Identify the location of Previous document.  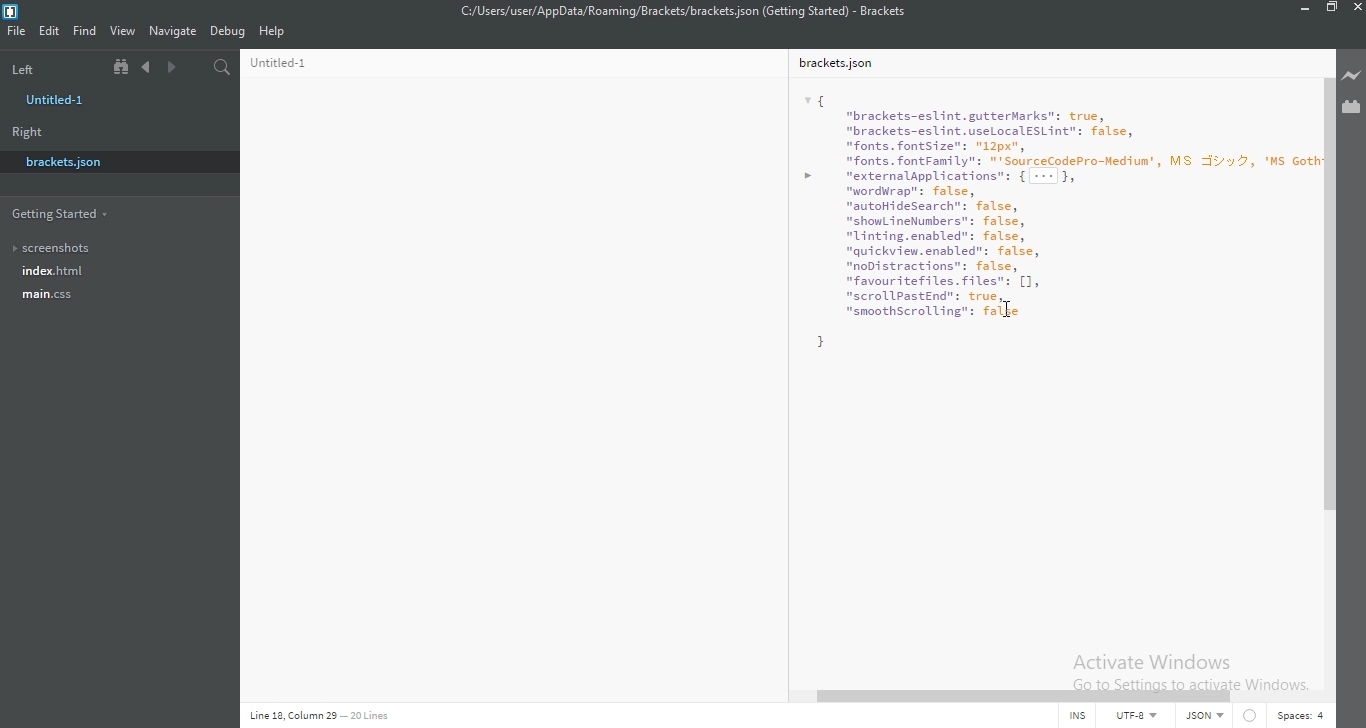
(149, 66).